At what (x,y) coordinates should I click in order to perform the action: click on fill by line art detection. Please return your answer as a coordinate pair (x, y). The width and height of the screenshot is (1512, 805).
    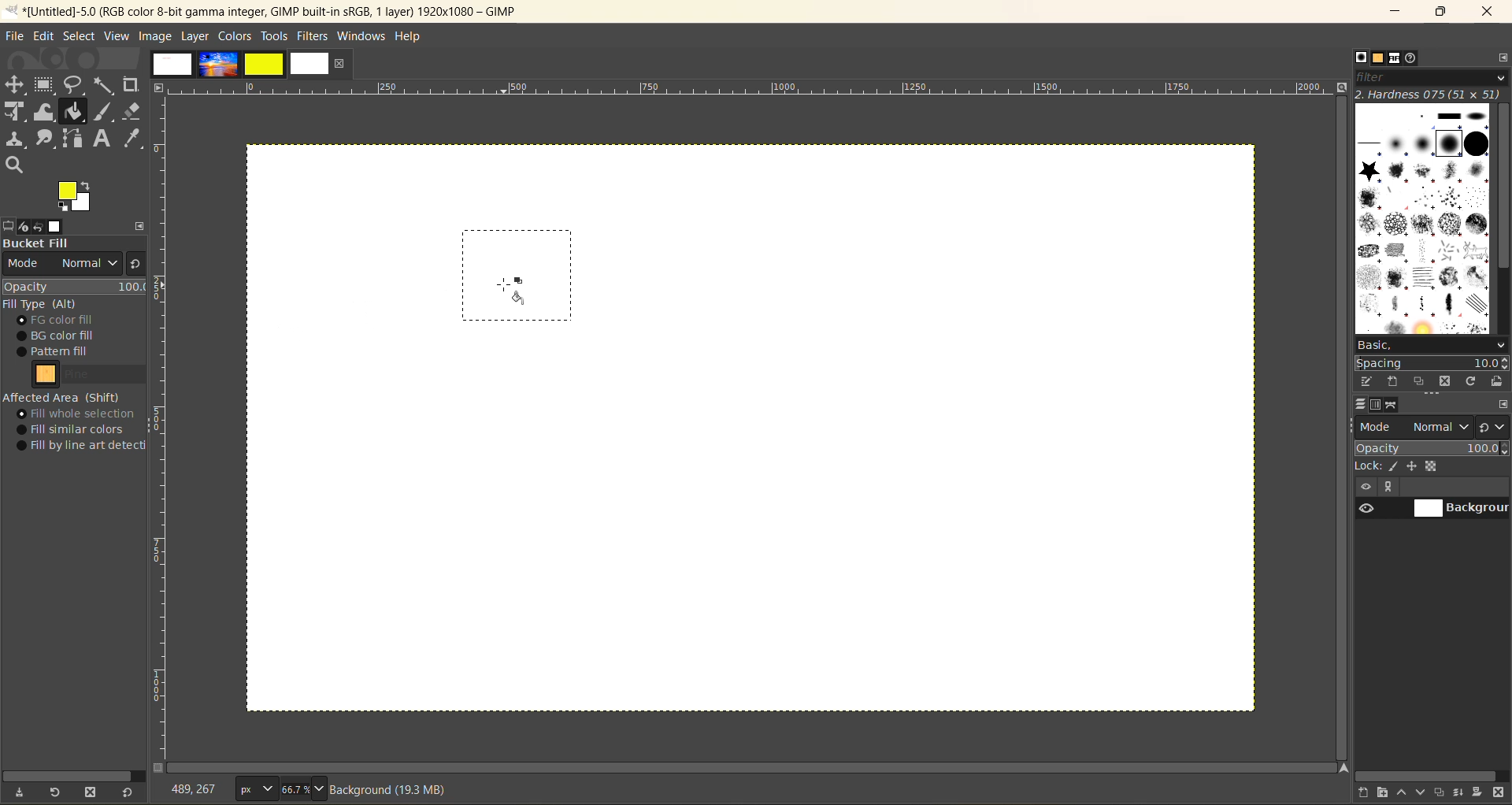
    Looking at the image, I should click on (85, 447).